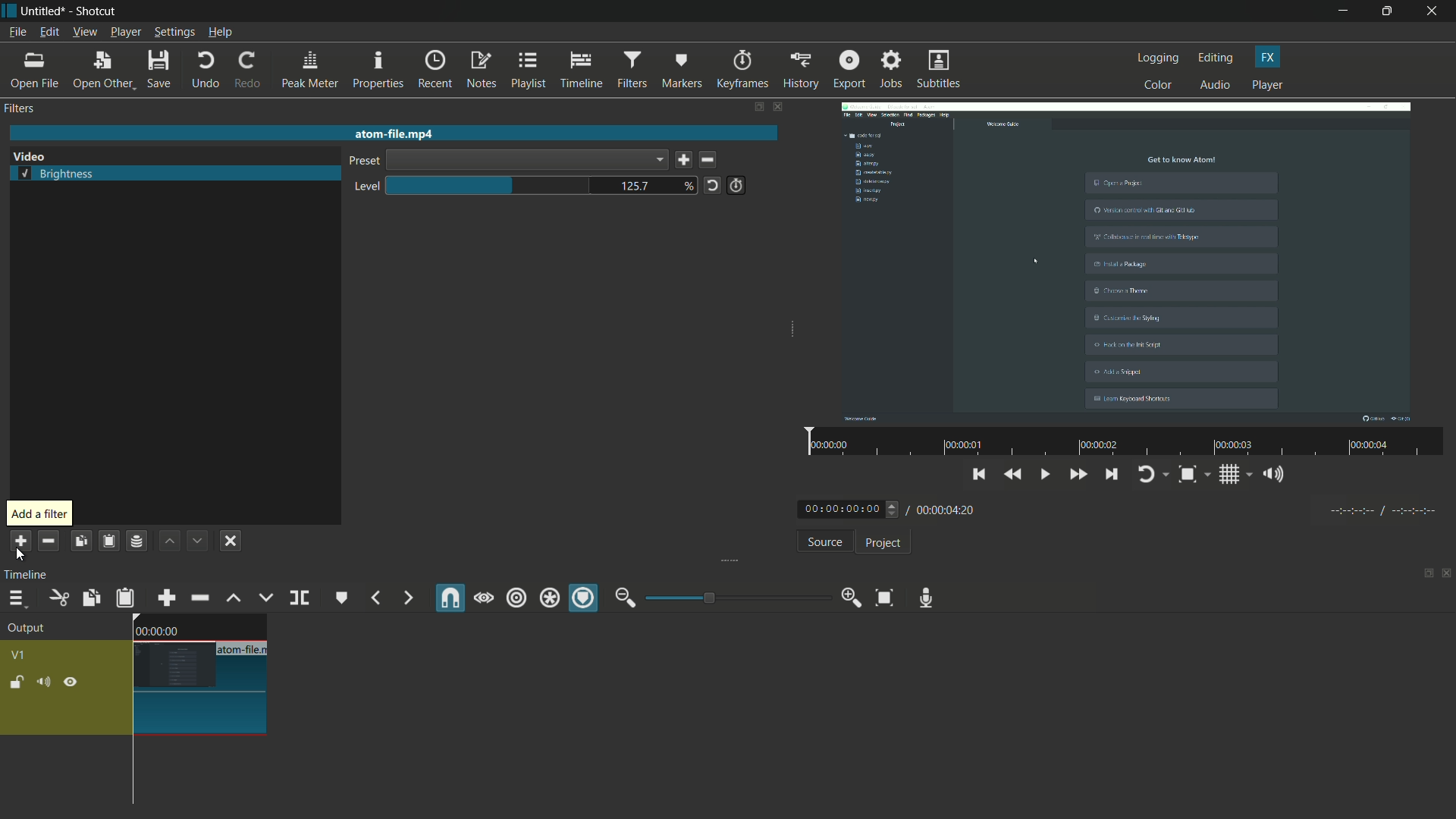 This screenshot has height=819, width=1456. I want to click on project, so click(881, 543).